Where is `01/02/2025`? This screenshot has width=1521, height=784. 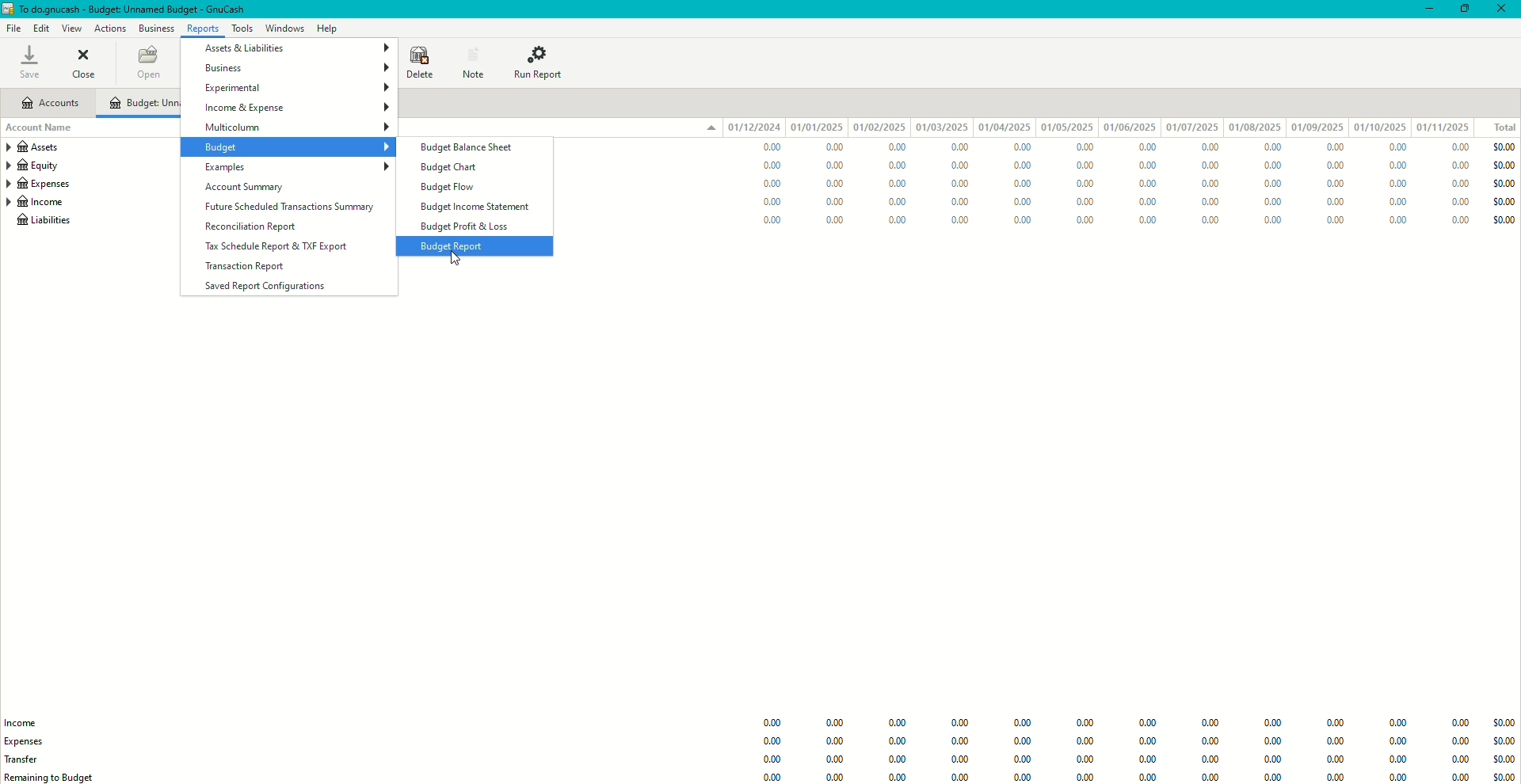
01/02/2025 is located at coordinates (879, 127).